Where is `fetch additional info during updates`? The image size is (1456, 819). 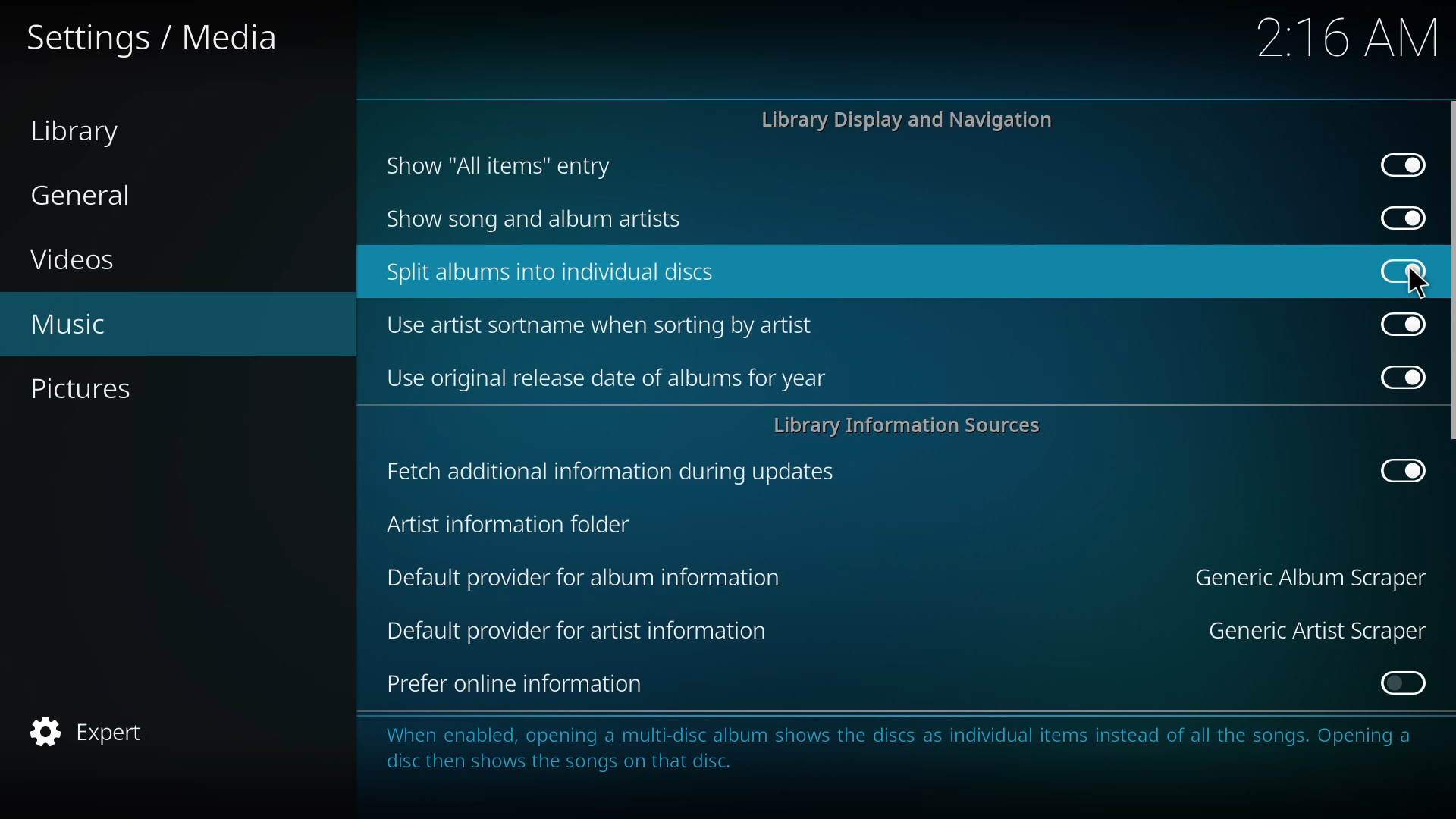
fetch additional info during updates is located at coordinates (607, 471).